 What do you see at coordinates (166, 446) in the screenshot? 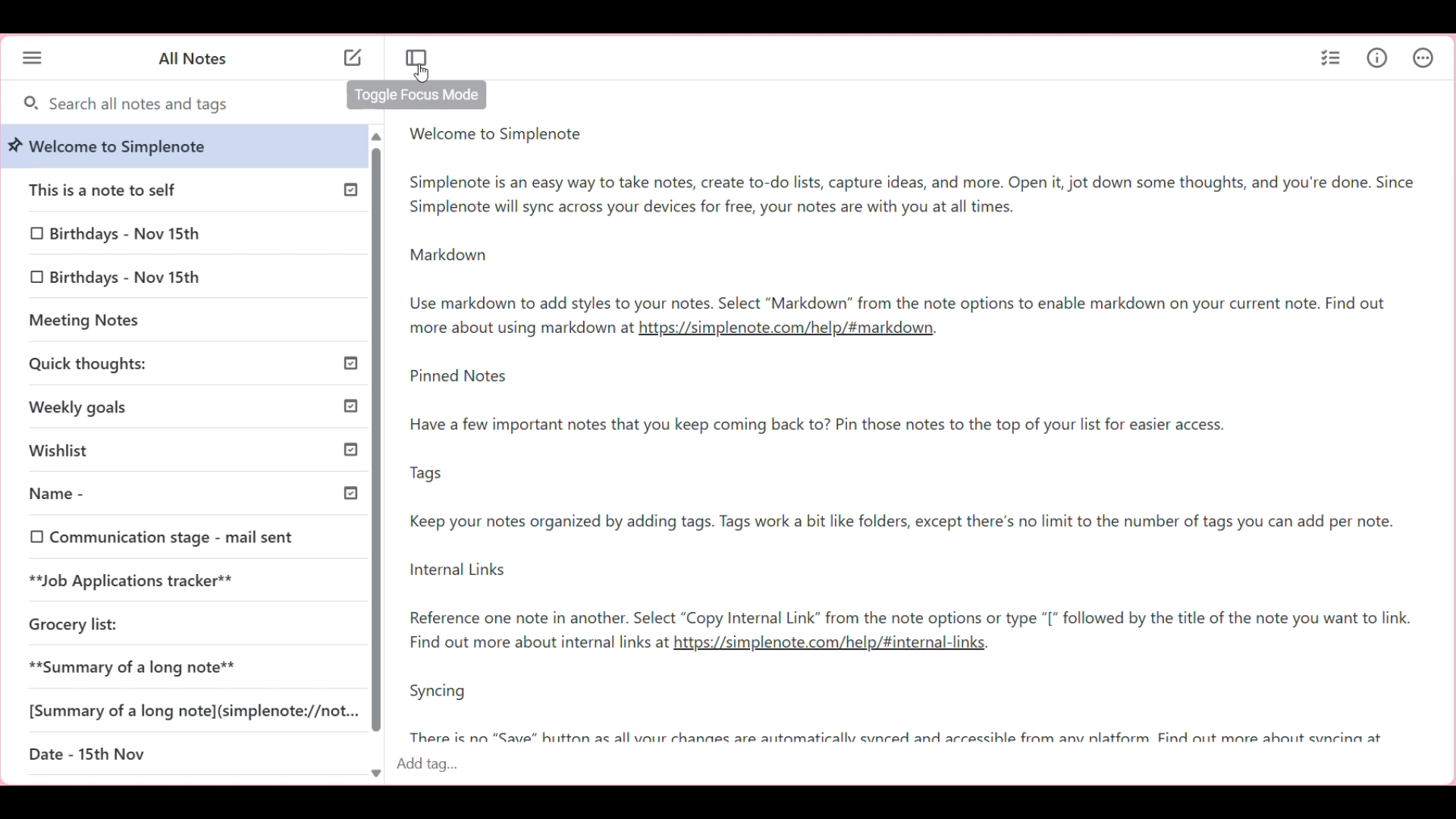
I see `Wishlist` at bounding box center [166, 446].